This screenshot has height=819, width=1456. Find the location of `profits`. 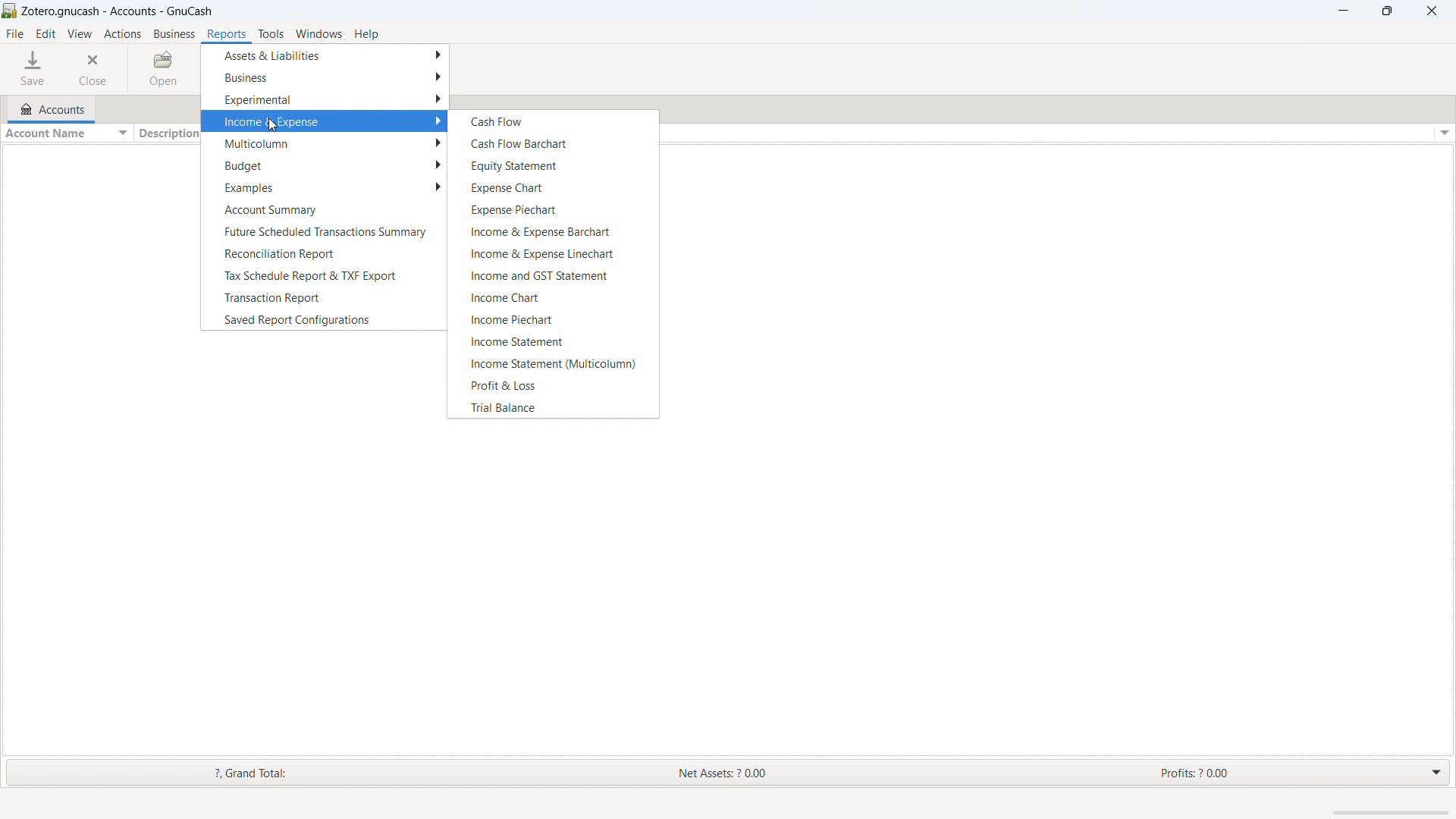

profits is located at coordinates (1259, 771).